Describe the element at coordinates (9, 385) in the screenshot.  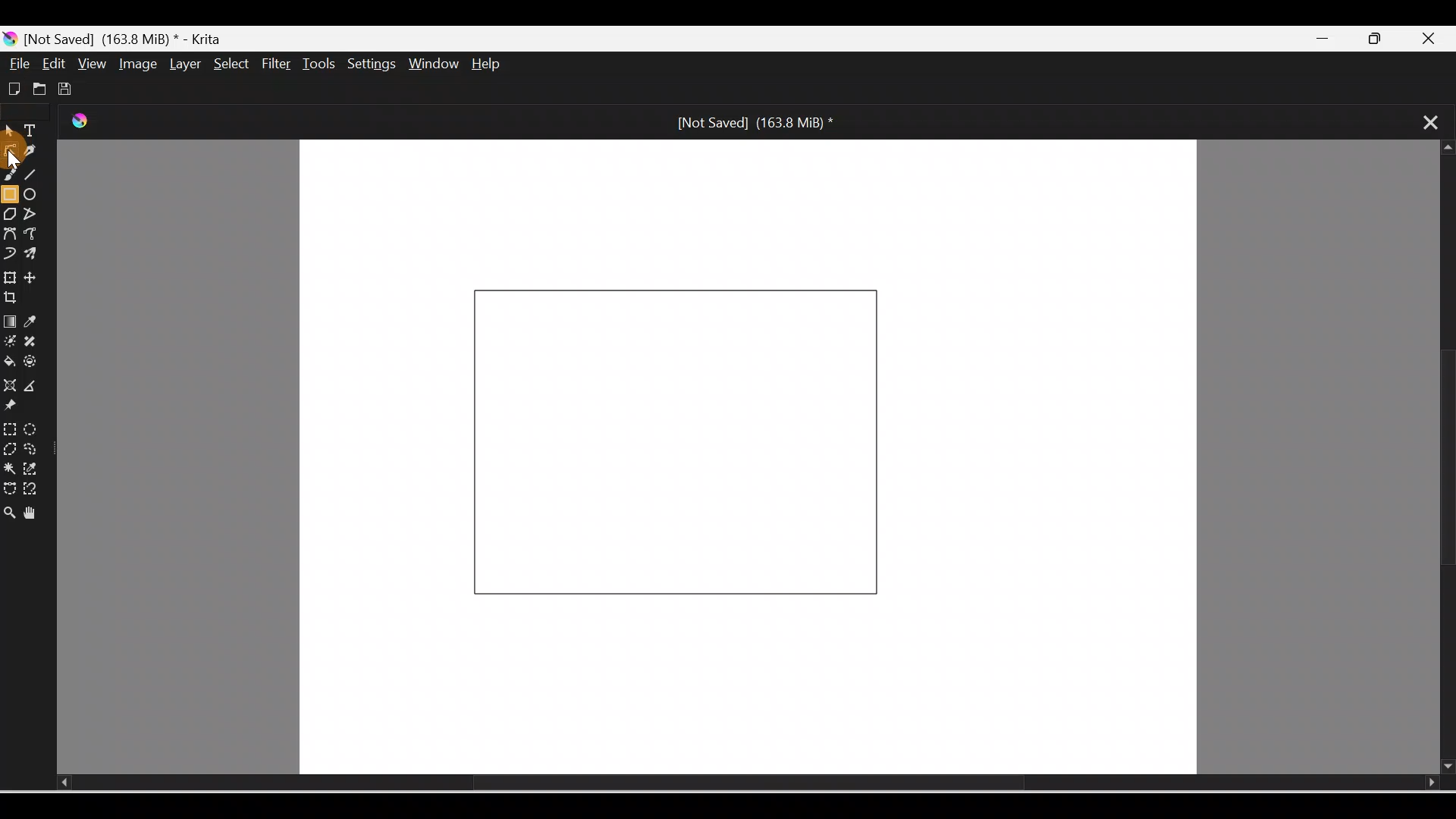
I see `Assistant tool` at that location.